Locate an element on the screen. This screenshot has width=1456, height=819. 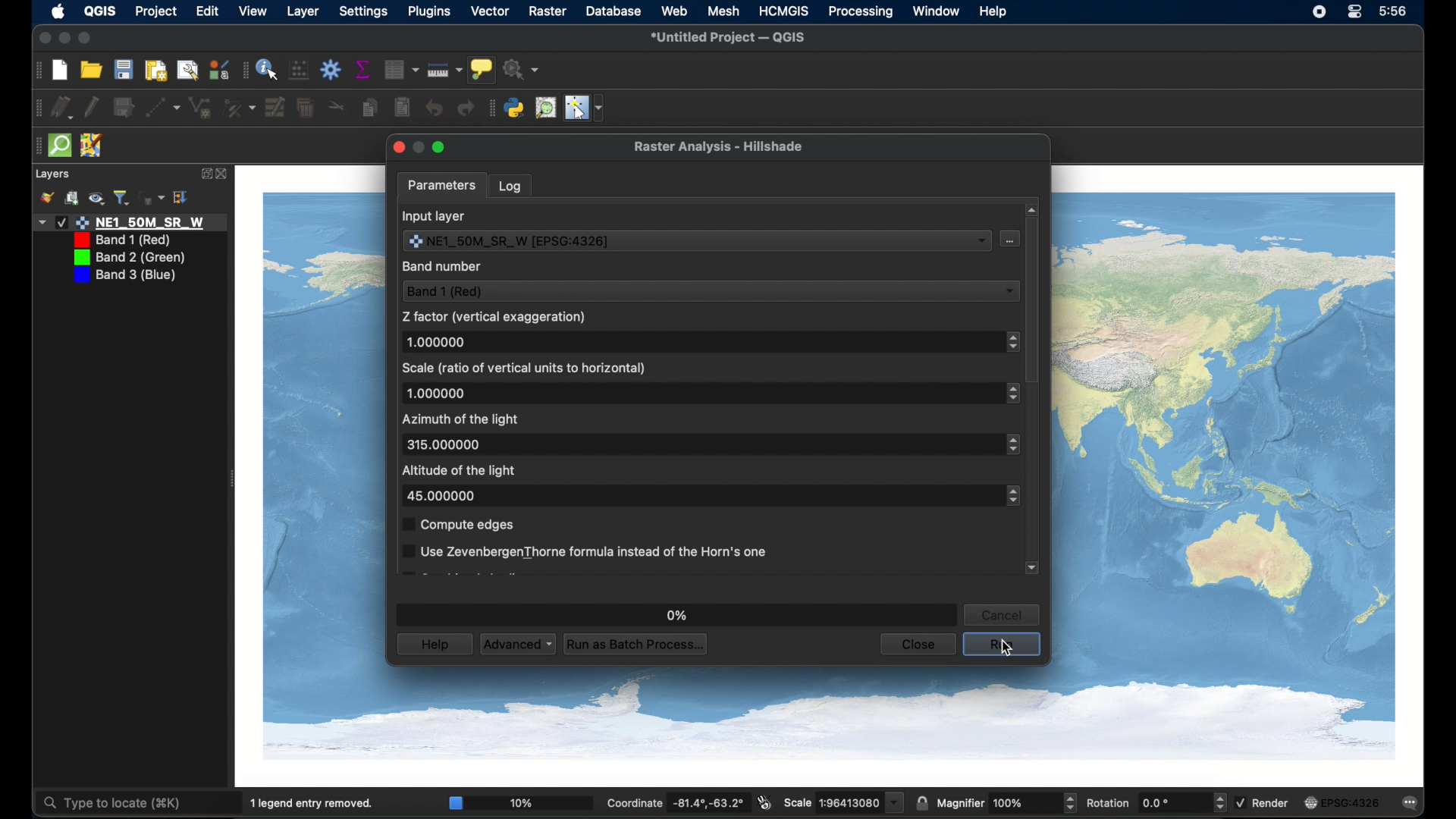
edit is located at coordinates (209, 11).